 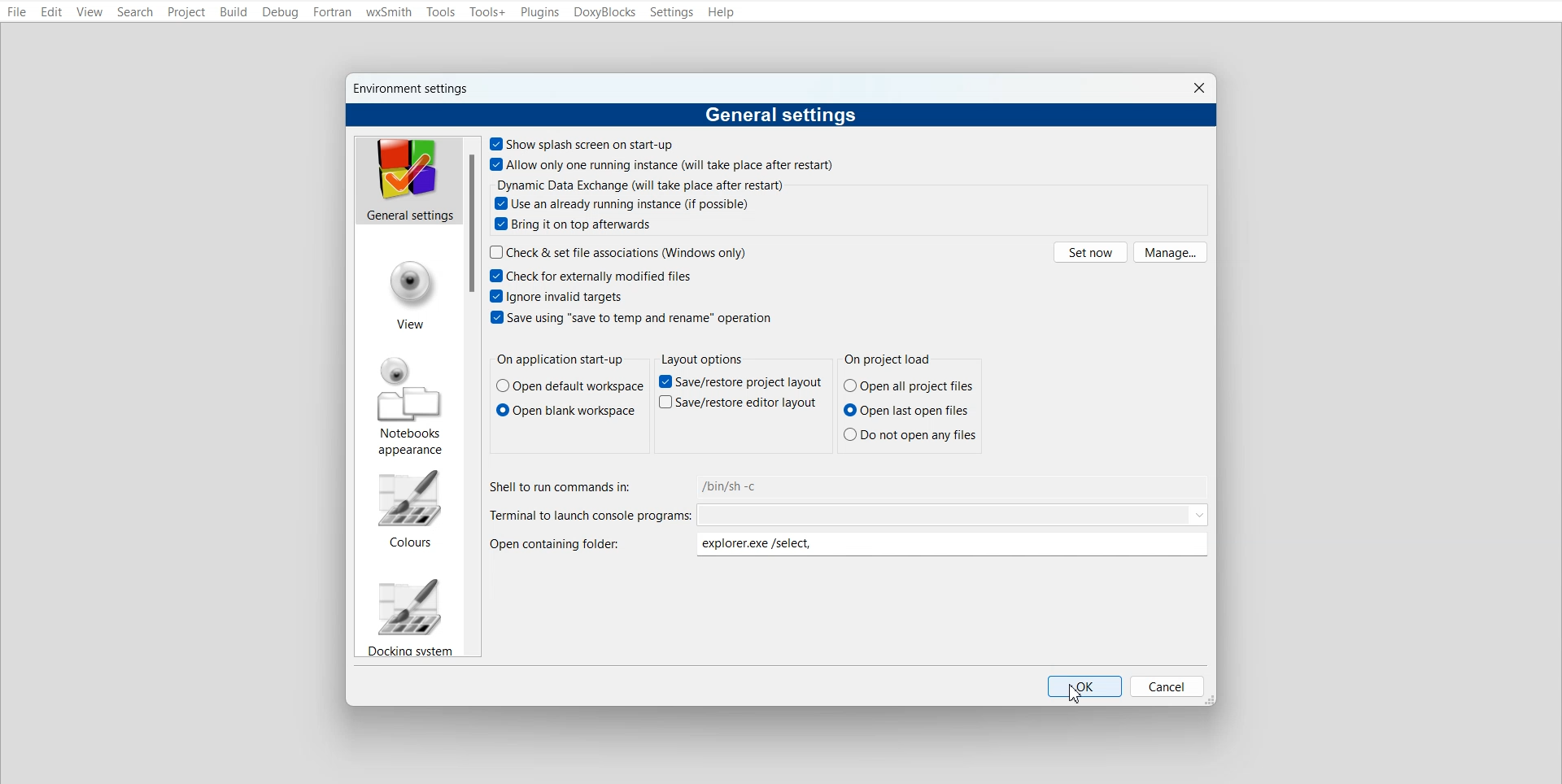 What do you see at coordinates (909, 385) in the screenshot?
I see `Open all project files` at bounding box center [909, 385].